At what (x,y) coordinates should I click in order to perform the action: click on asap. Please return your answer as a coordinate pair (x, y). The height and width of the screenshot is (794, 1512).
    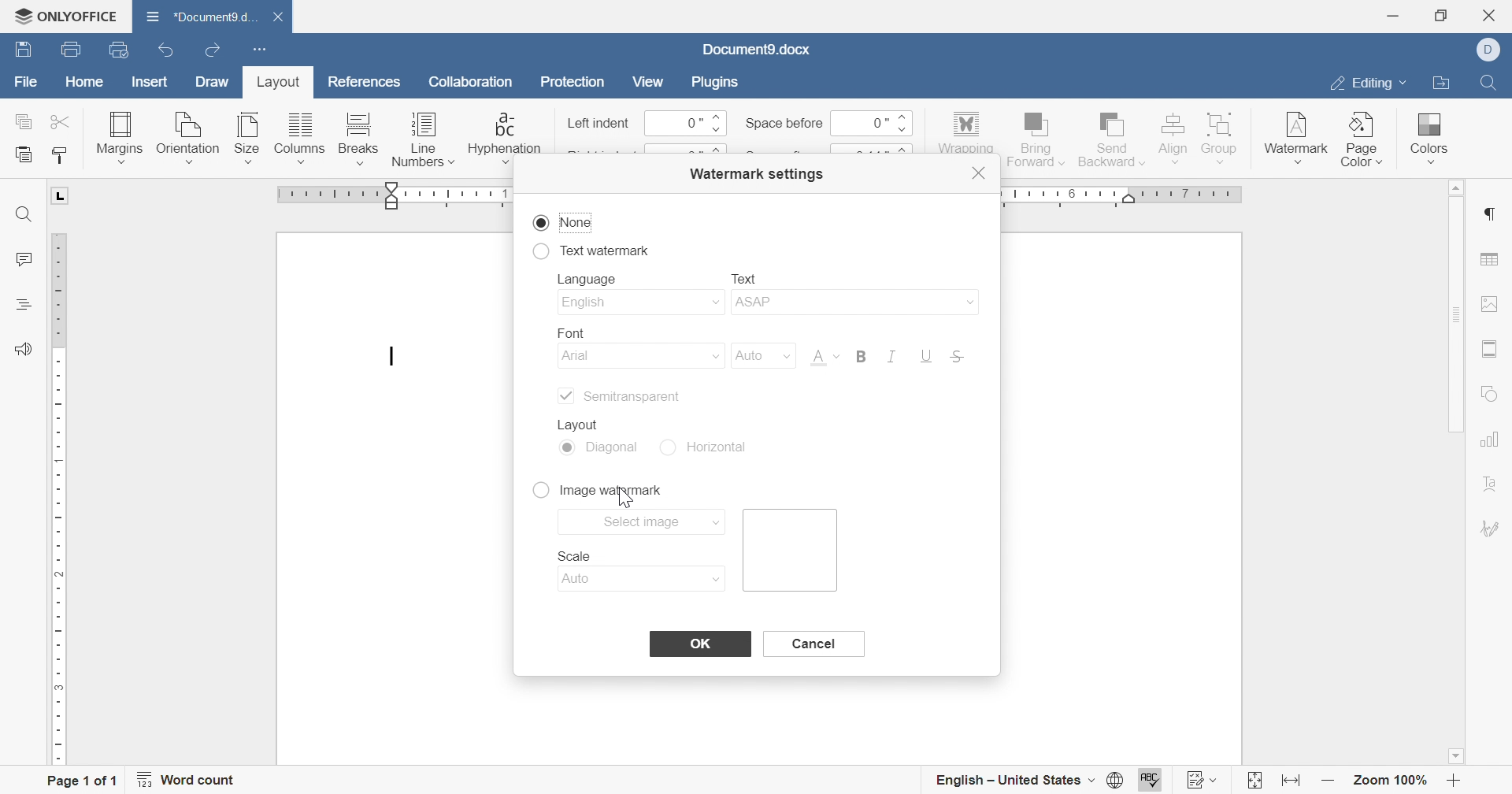
    Looking at the image, I should click on (853, 305).